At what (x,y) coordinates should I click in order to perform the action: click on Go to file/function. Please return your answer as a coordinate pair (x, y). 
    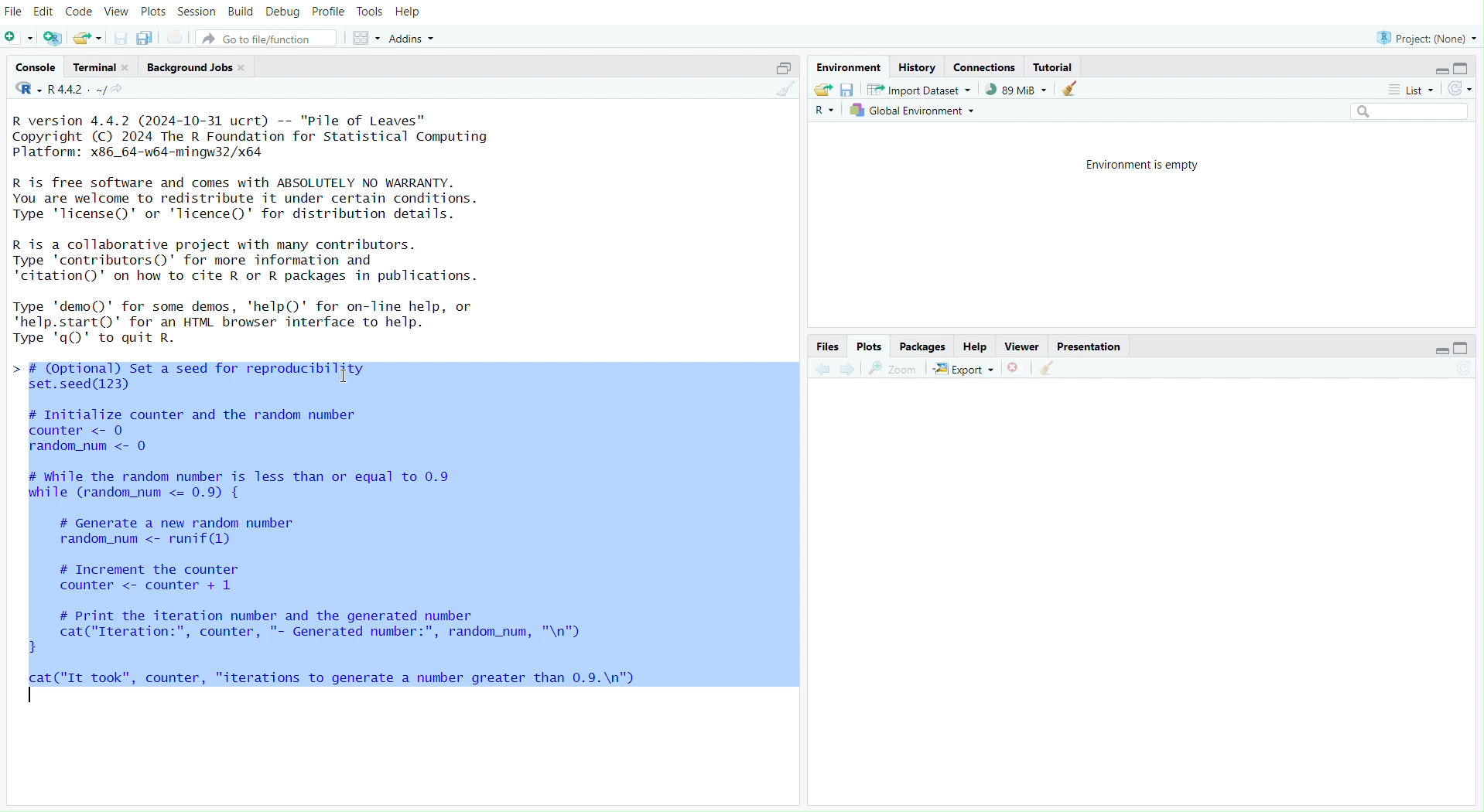
    Looking at the image, I should click on (272, 36).